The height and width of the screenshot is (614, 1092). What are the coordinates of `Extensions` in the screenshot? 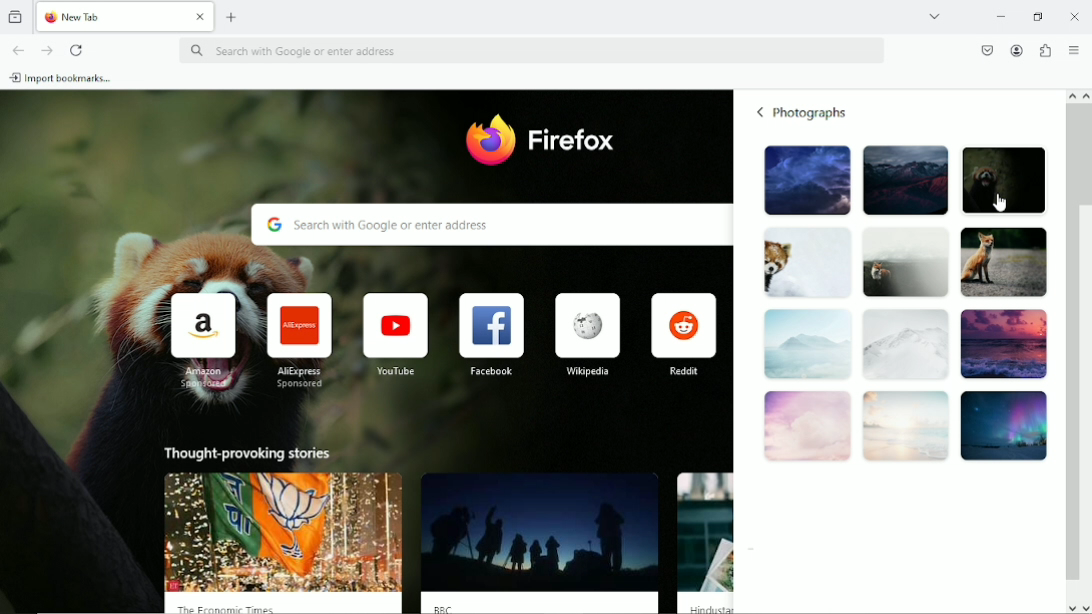 It's located at (1045, 49).